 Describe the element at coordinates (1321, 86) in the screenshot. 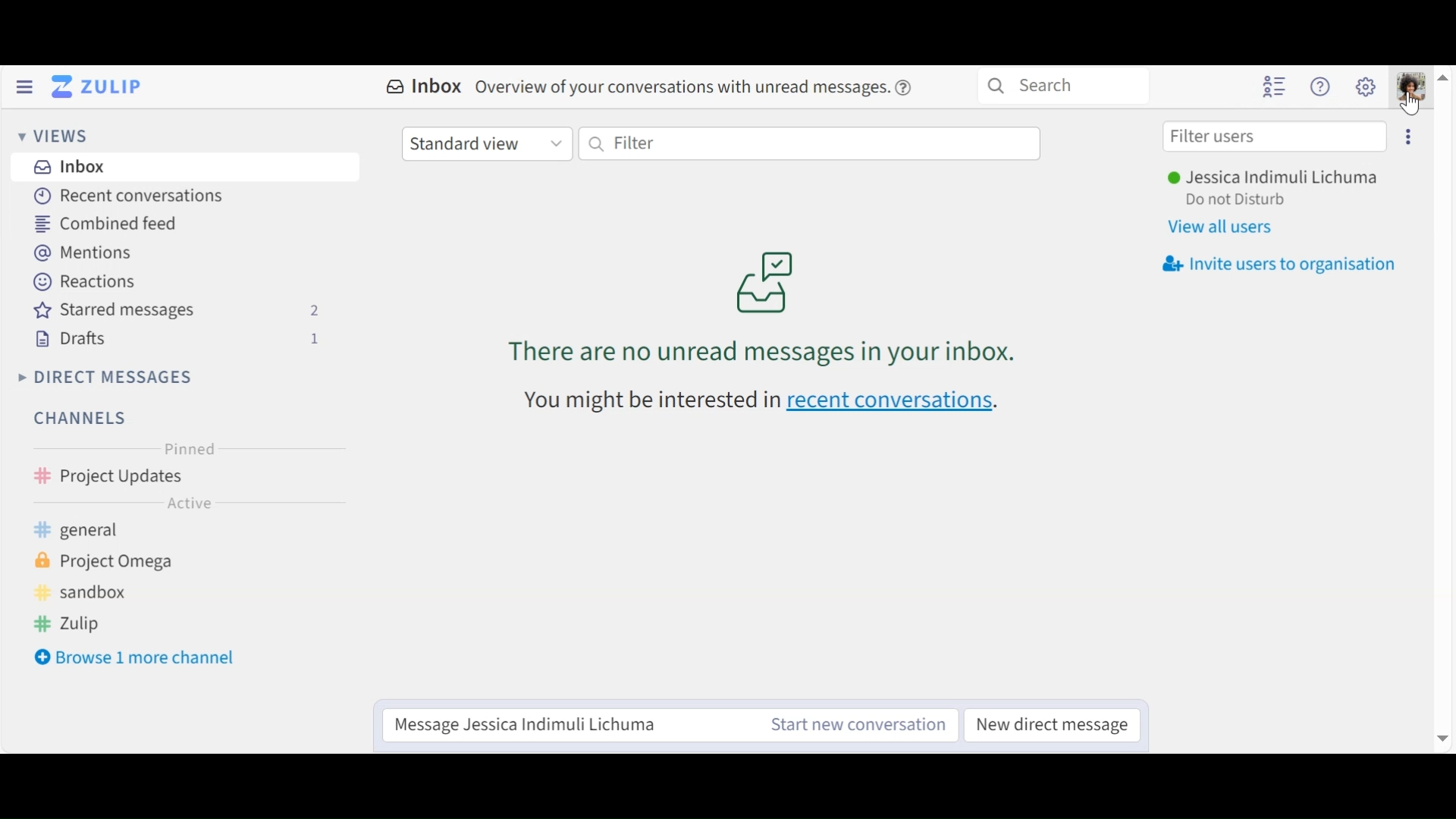

I see `Help menu` at that location.